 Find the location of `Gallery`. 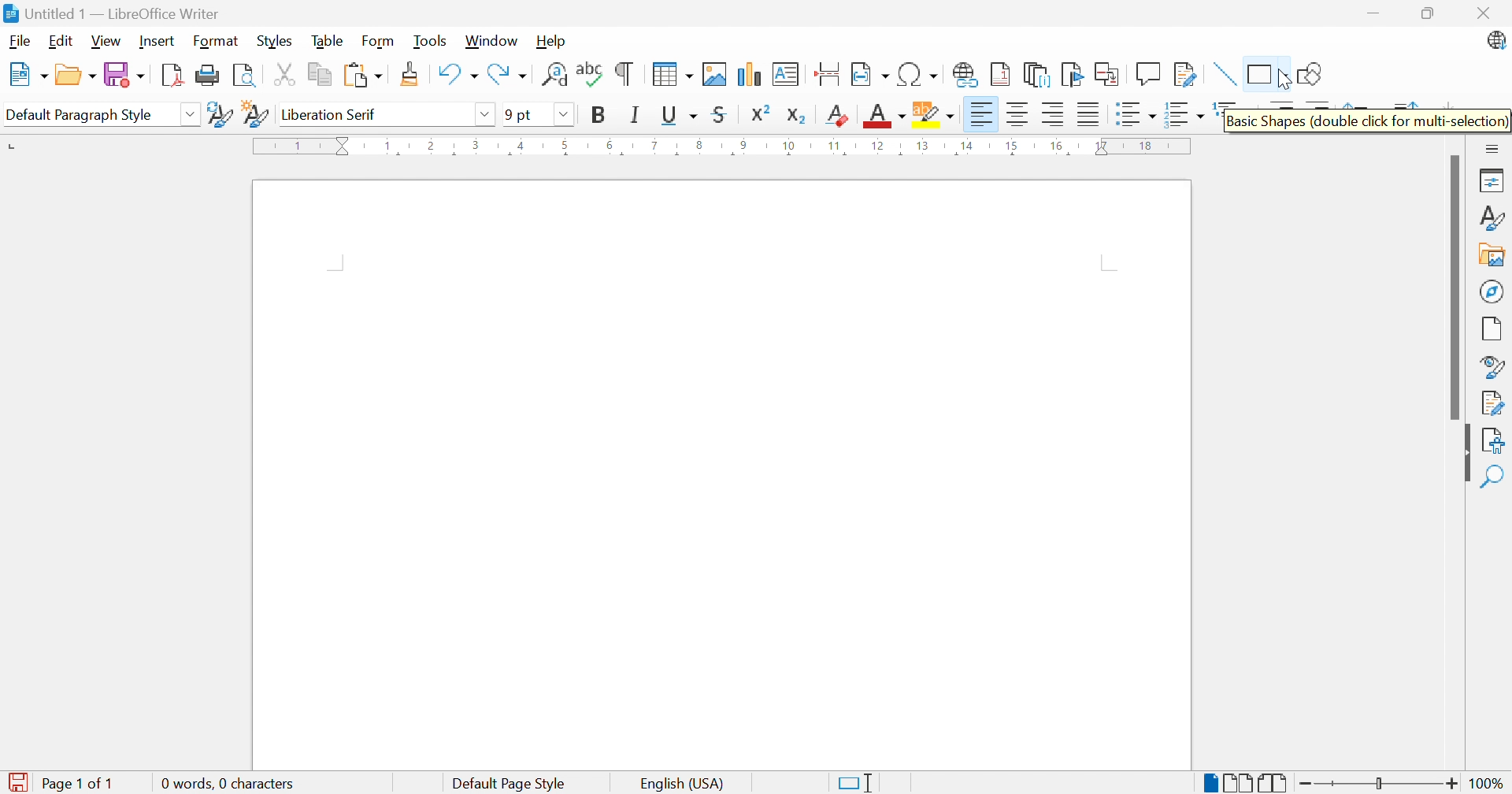

Gallery is located at coordinates (1492, 256).